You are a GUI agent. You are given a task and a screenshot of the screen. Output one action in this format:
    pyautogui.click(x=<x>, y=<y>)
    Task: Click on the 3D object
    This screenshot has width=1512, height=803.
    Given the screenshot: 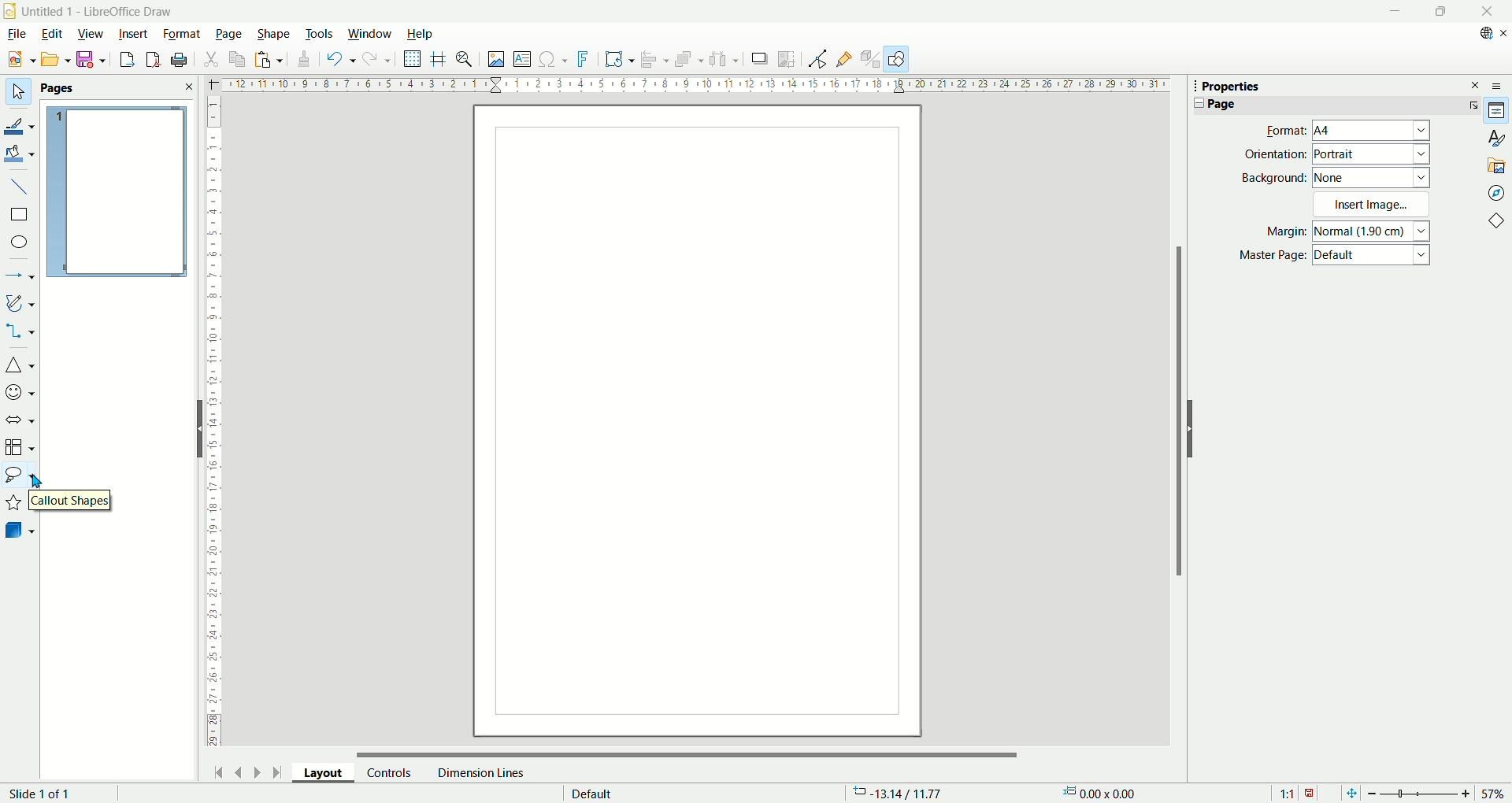 What is the action you would take?
    pyautogui.click(x=21, y=531)
    